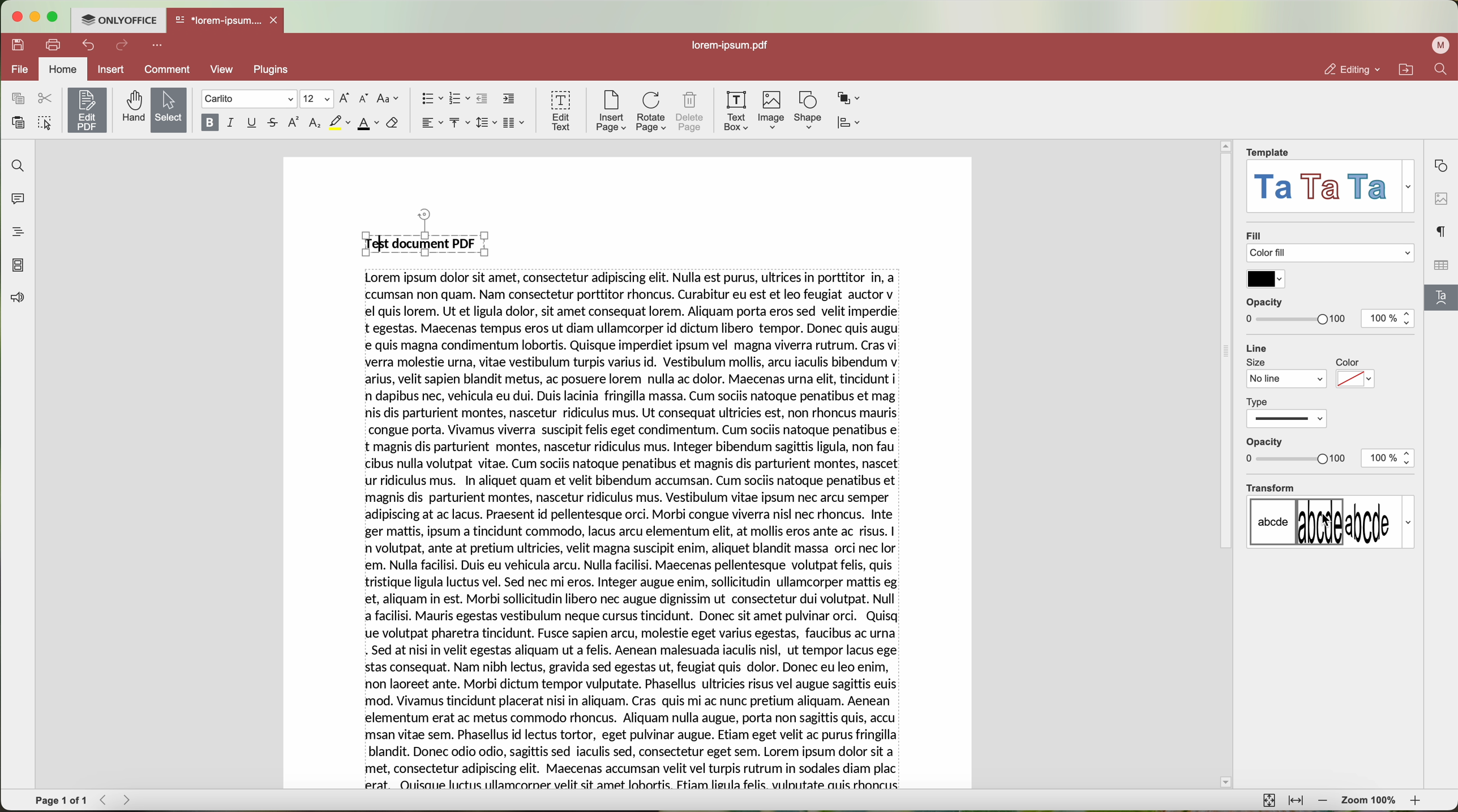 The width and height of the screenshot is (1458, 812). Describe the element at coordinates (275, 123) in the screenshot. I see `strikeout` at that location.